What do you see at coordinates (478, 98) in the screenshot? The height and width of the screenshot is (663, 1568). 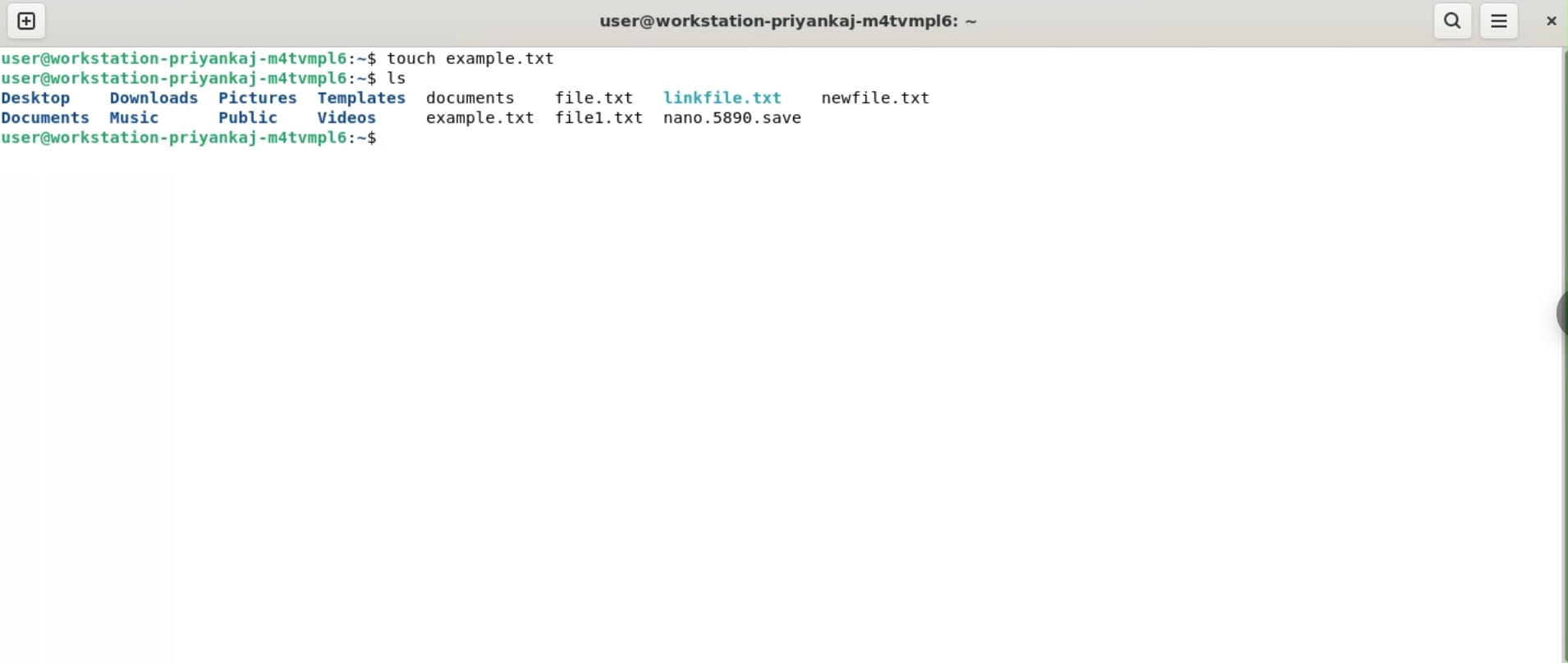 I see `documents` at bounding box center [478, 98].